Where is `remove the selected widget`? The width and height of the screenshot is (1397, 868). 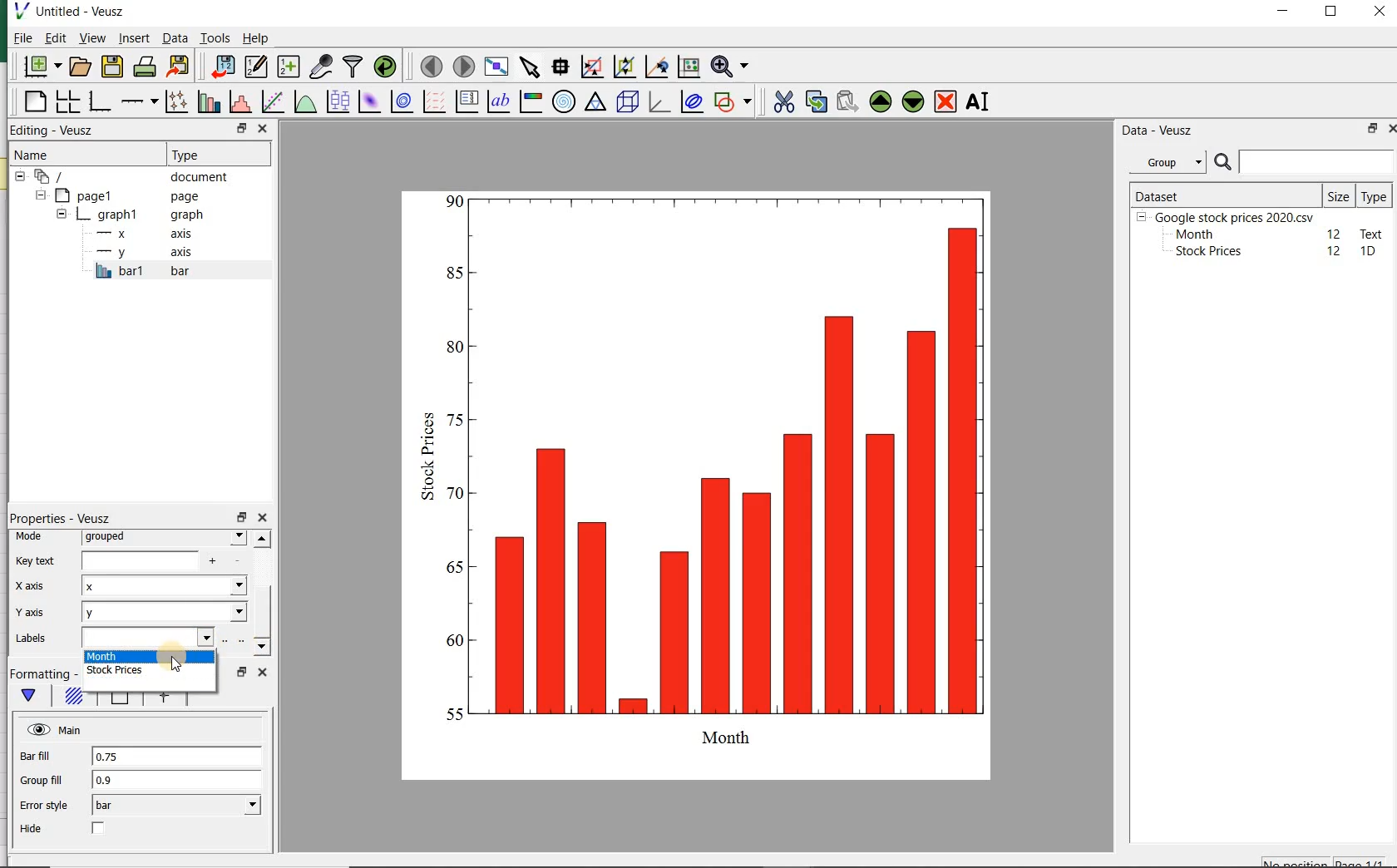 remove the selected widget is located at coordinates (946, 101).